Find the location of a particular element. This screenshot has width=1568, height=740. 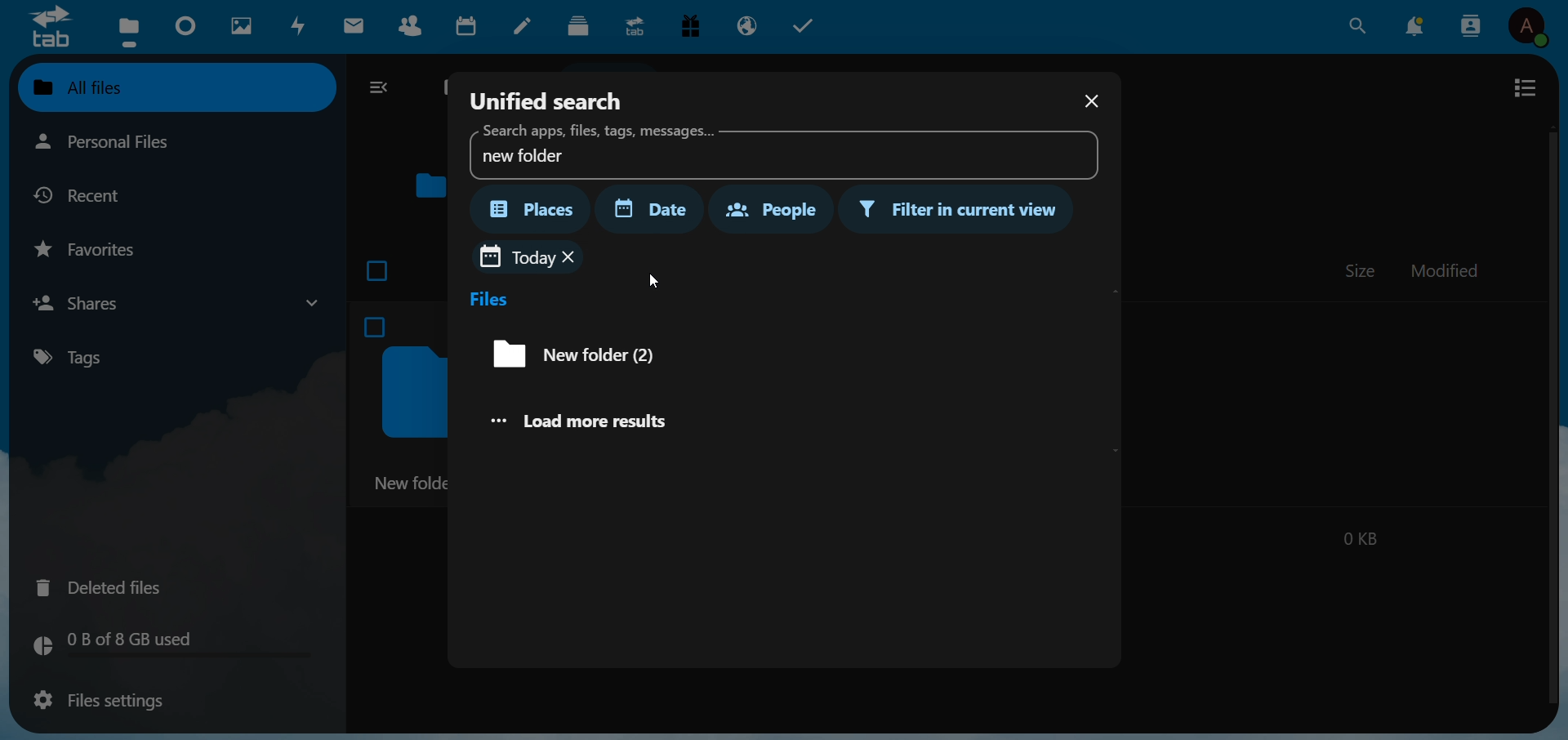

images is located at coordinates (240, 26).